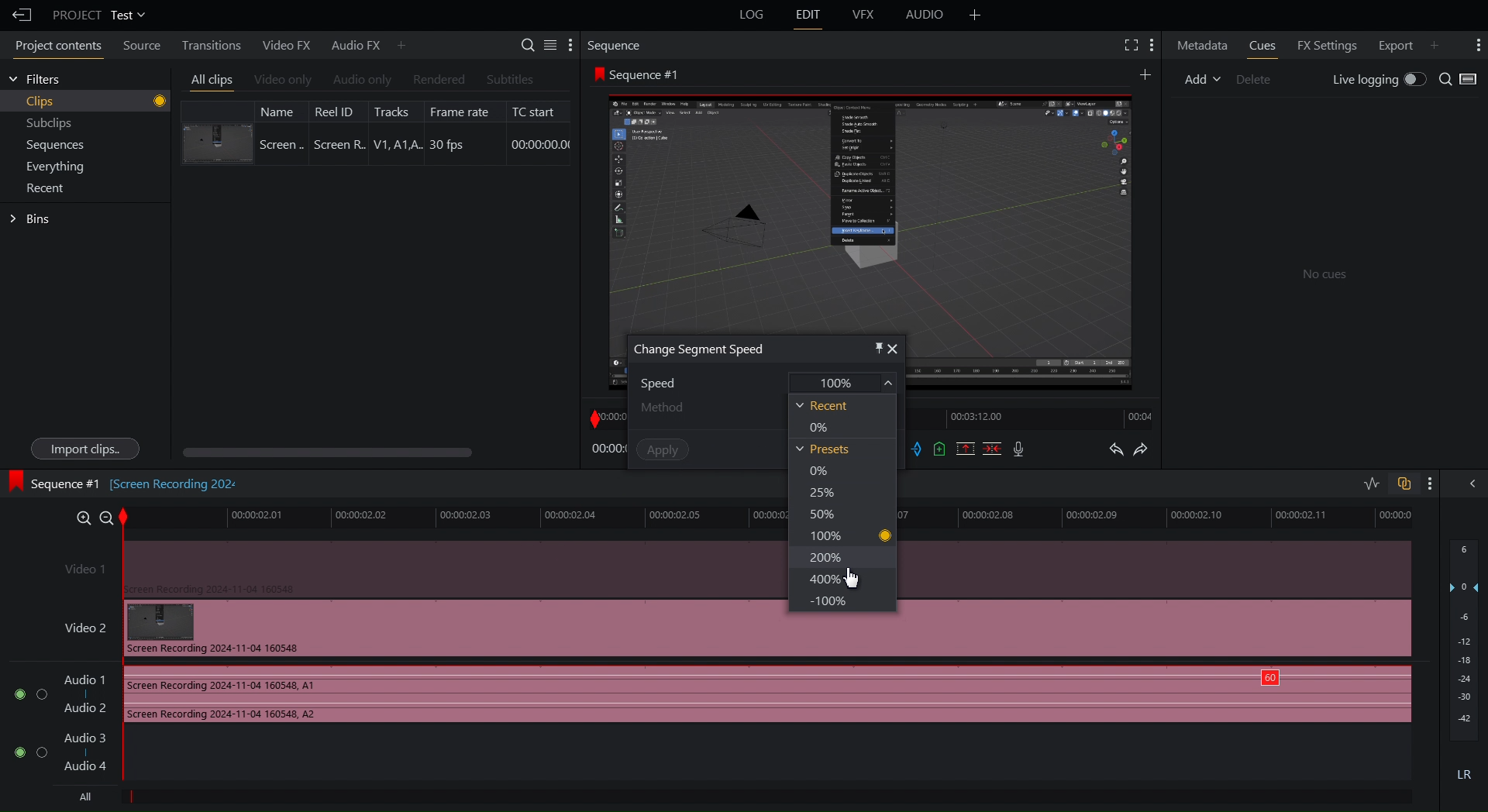 This screenshot has width=1488, height=812. I want to click on Edit, so click(808, 15).